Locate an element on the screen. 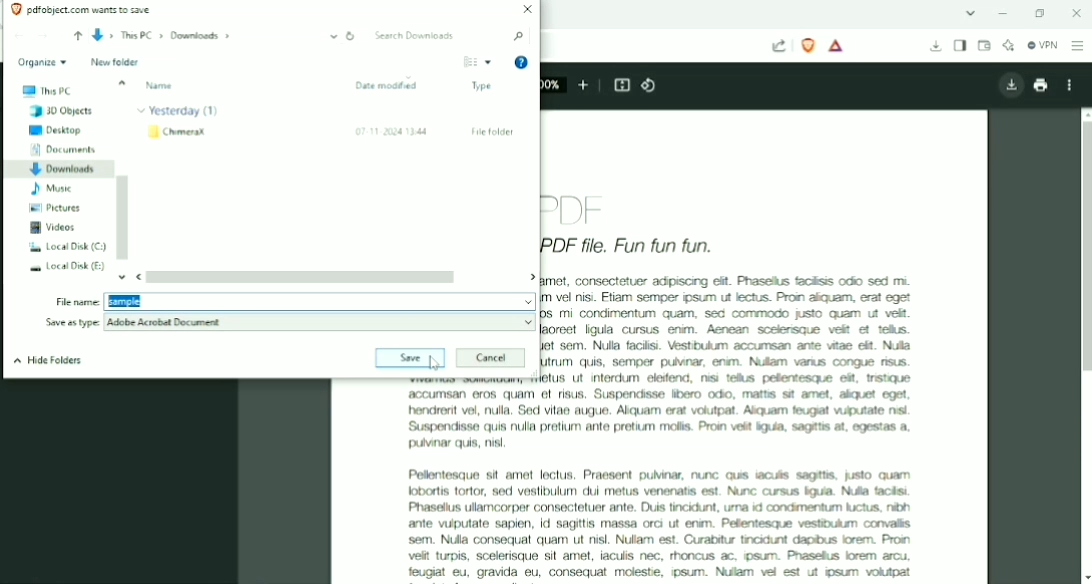 The image size is (1092, 584). Customize and control brave is located at coordinates (1078, 45).